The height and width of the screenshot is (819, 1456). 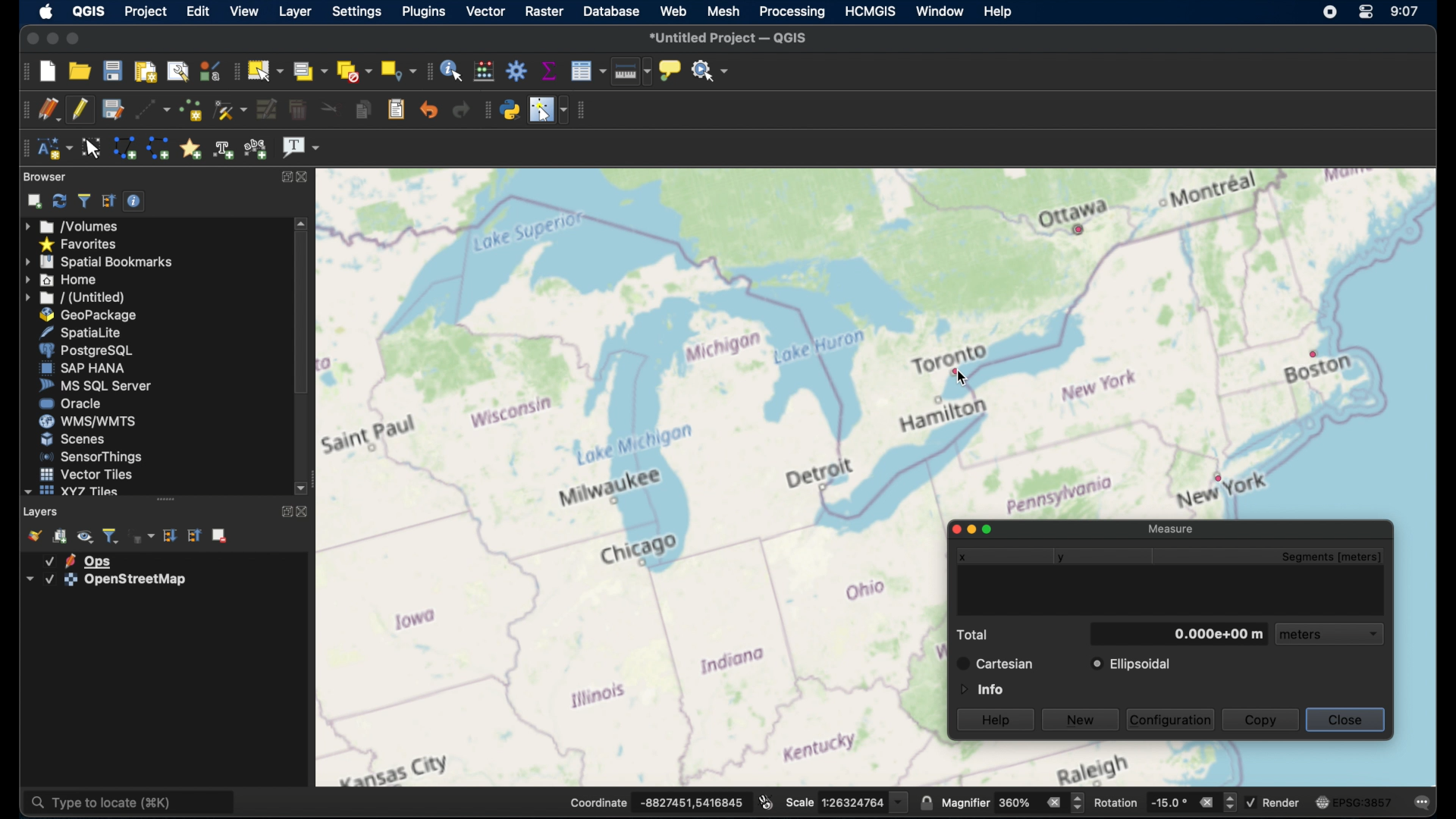 What do you see at coordinates (102, 580) in the screenshot?
I see `layer` at bounding box center [102, 580].